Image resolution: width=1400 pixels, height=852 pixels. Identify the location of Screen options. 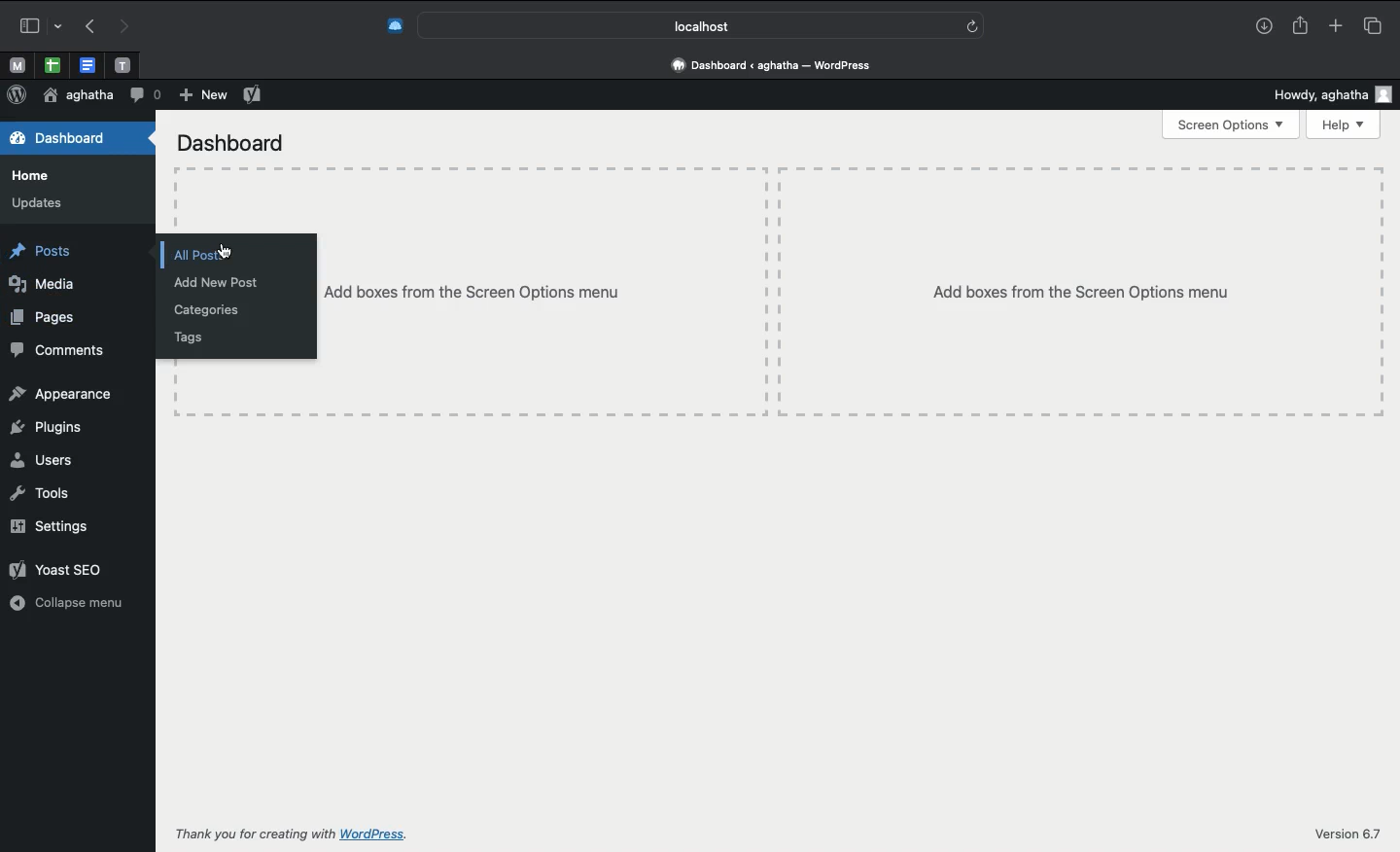
(1233, 124).